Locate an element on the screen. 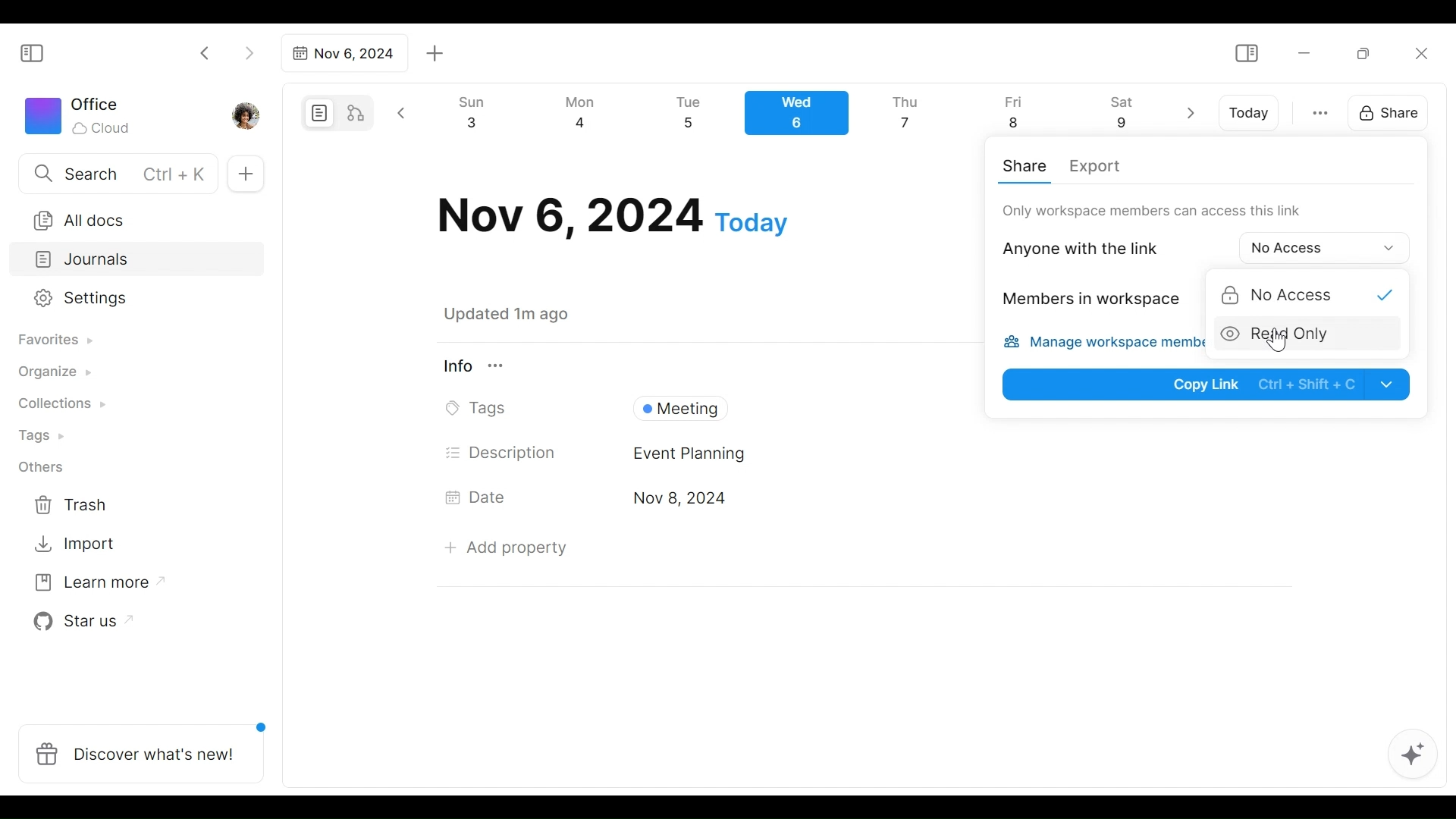 This screenshot has height=819, width=1456. Add new  is located at coordinates (244, 174).